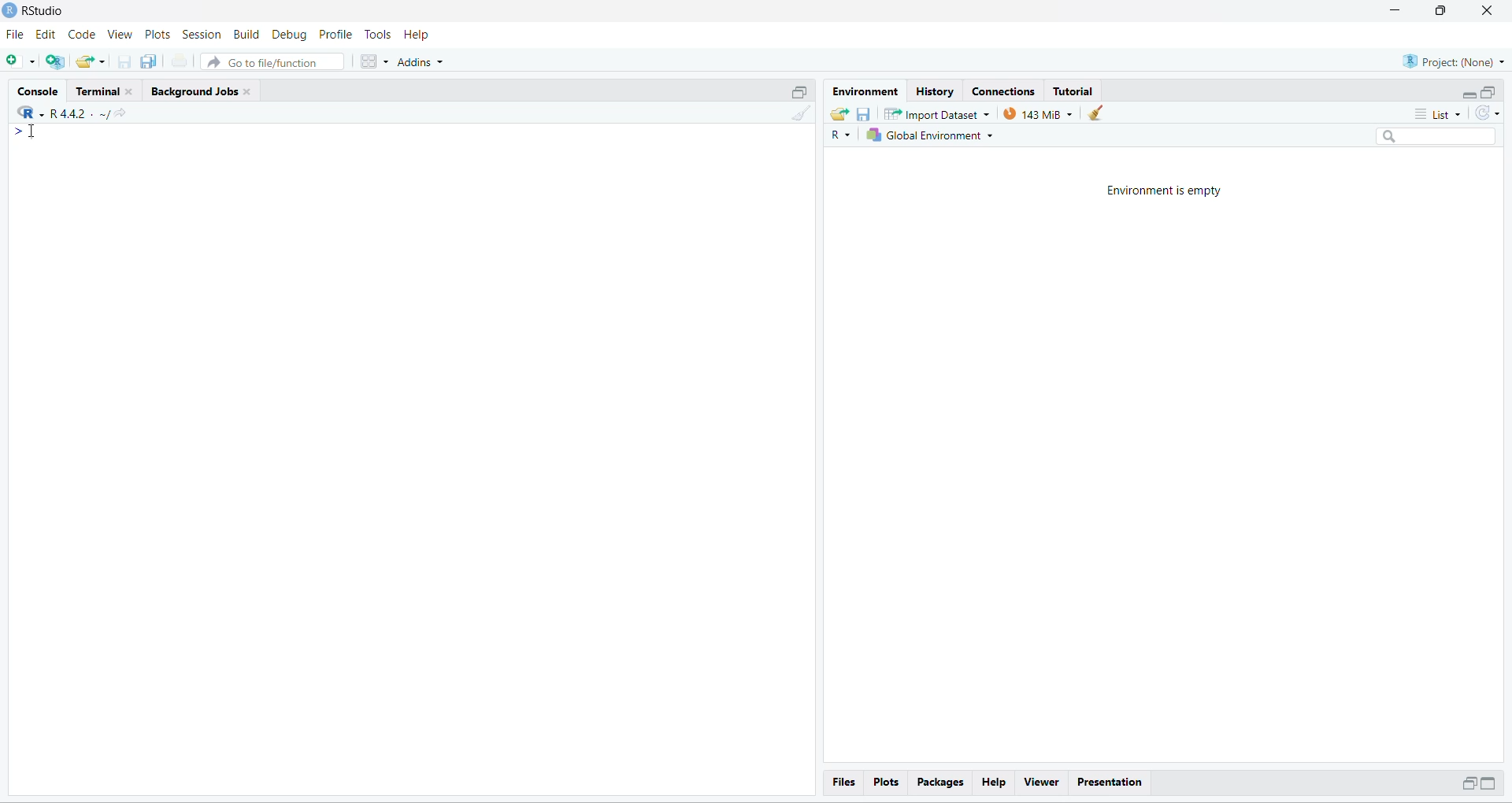  What do you see at coordinates (380, 34) in the screenshot?
I see `tools` at bounding box center [380, 34].